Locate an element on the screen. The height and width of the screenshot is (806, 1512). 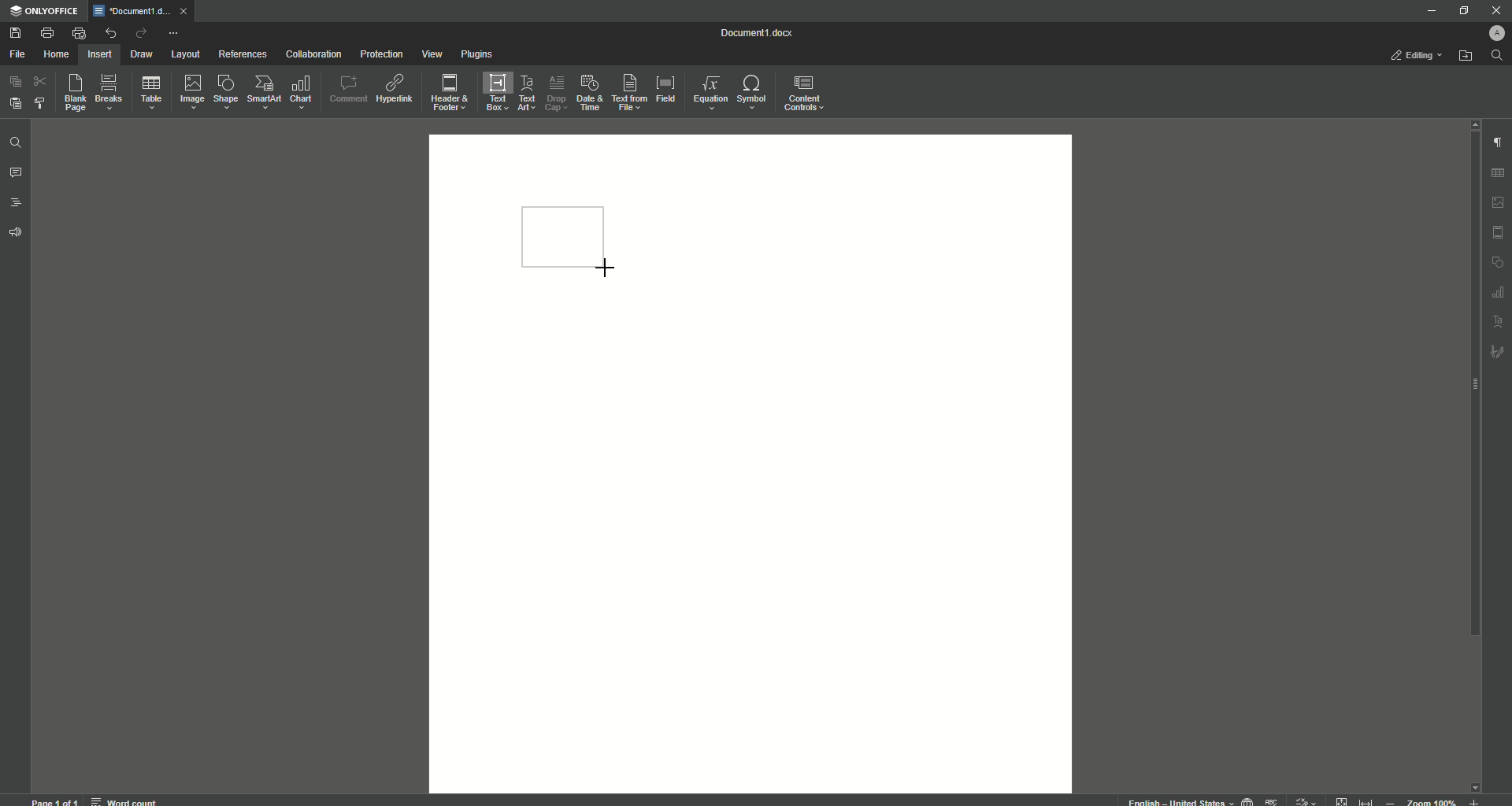
Print is located at coordinates (46, 33).